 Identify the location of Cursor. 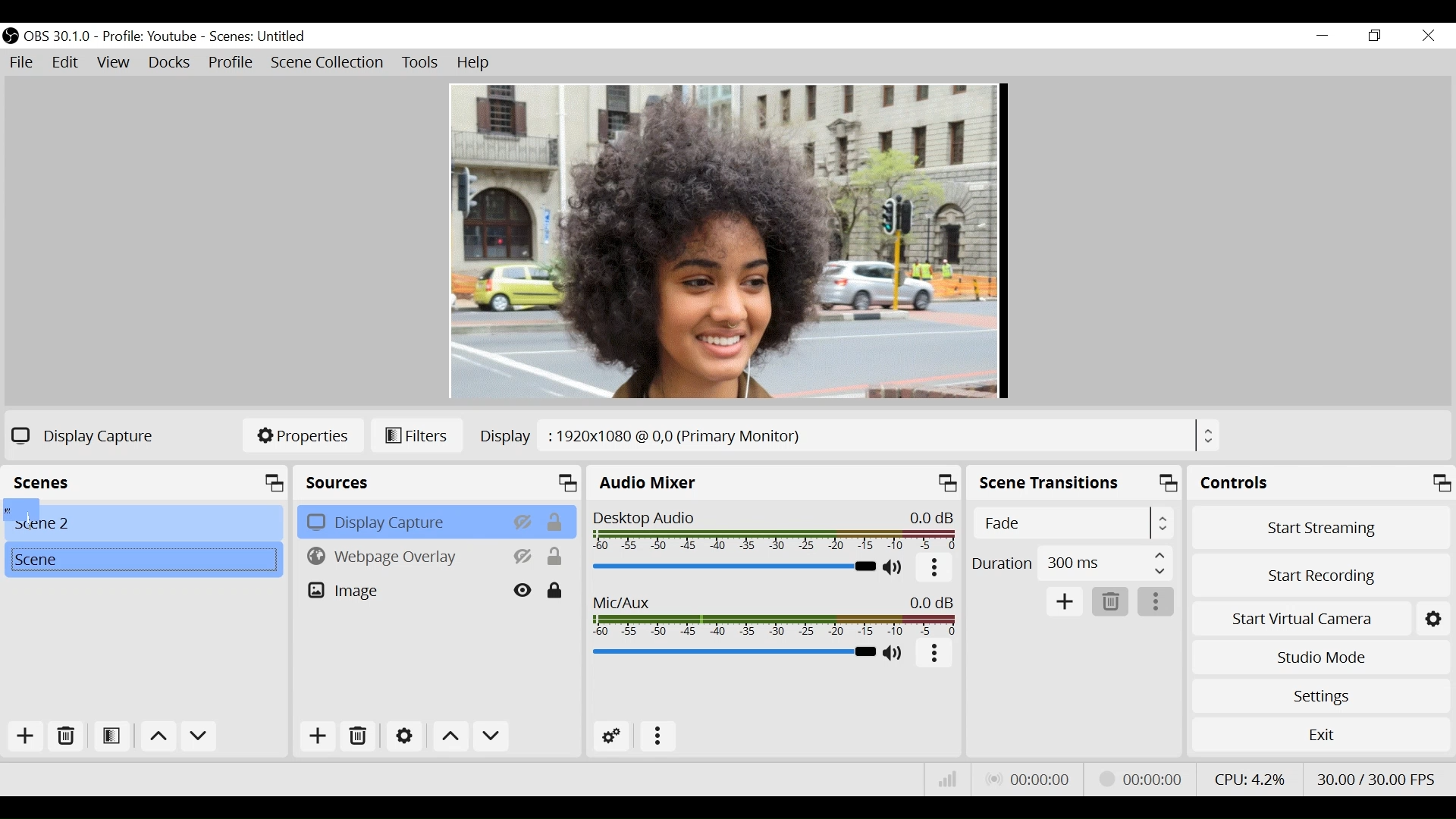
(22, 511).